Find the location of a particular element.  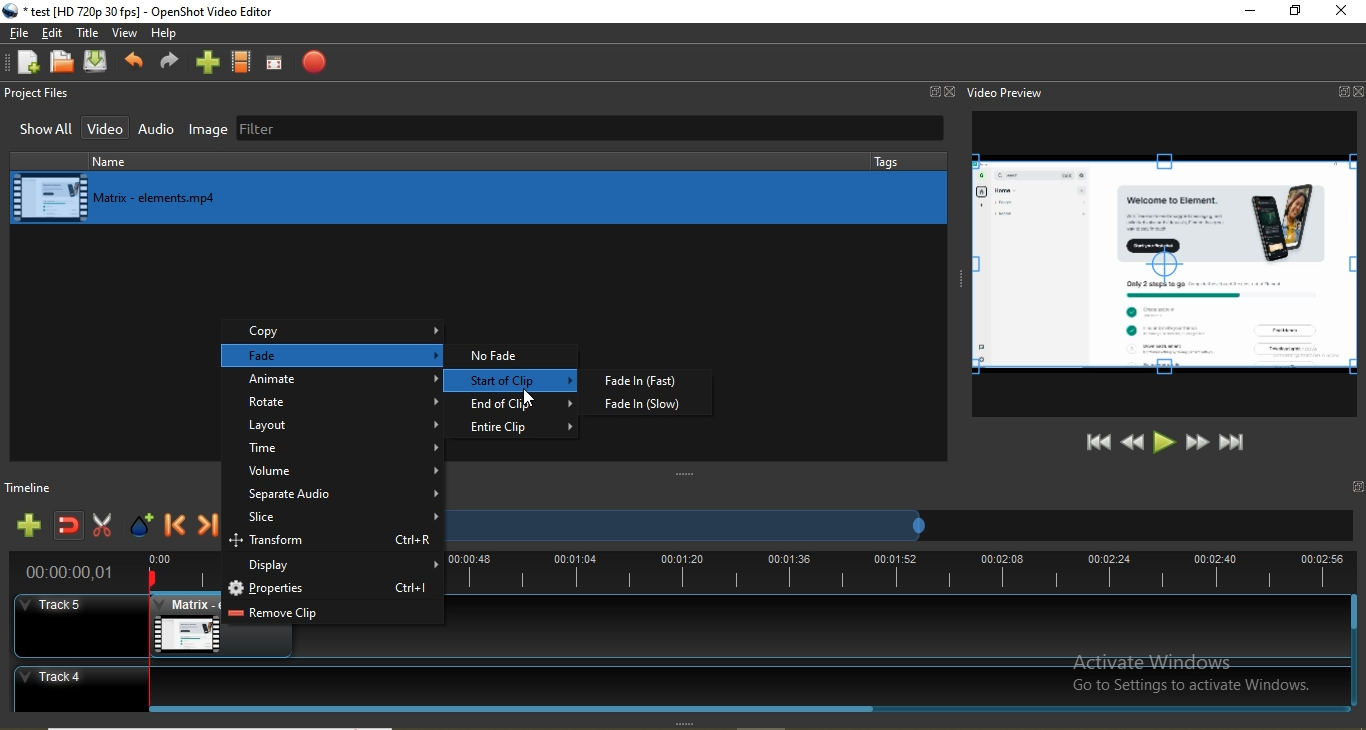

Jump to end is located at coordinates (1233, 444).